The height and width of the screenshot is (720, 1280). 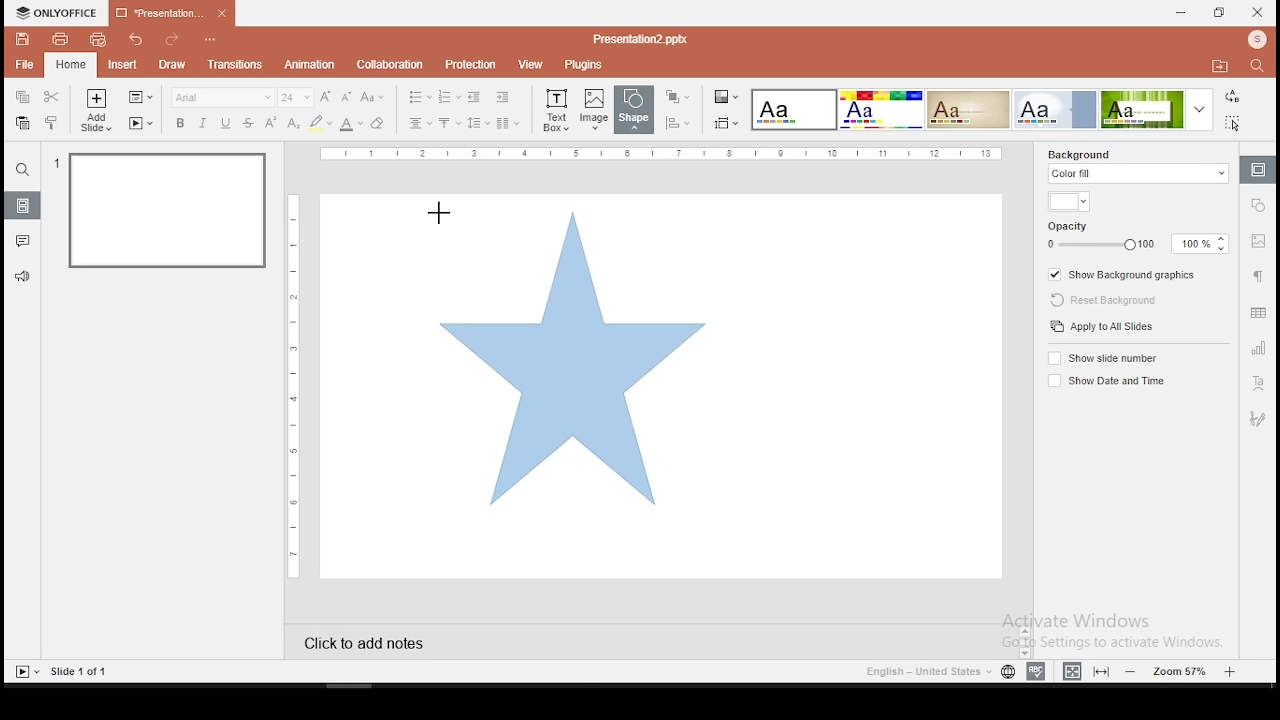 What do you see at coordinates (26, 64) in the screenshot?
I see `file` at bounding box center [26, 64].